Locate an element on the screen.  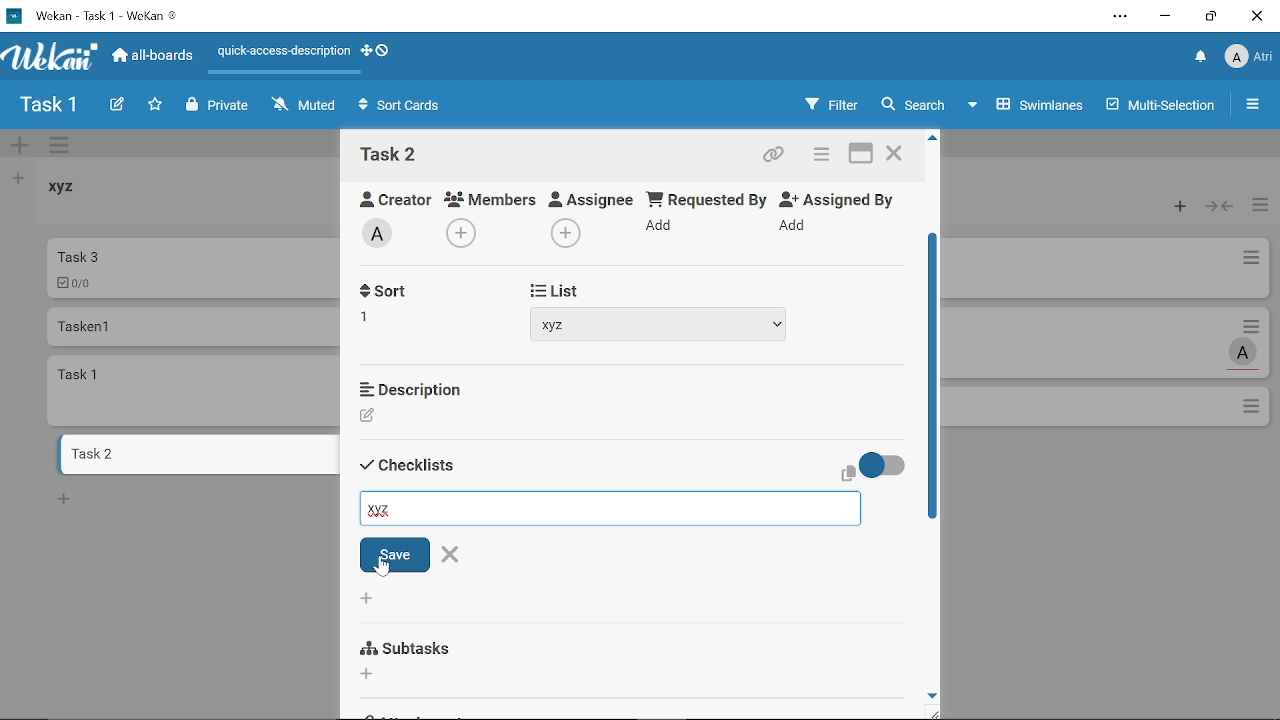
Card named "Tasken 1" is located at coordinates (192, 326).